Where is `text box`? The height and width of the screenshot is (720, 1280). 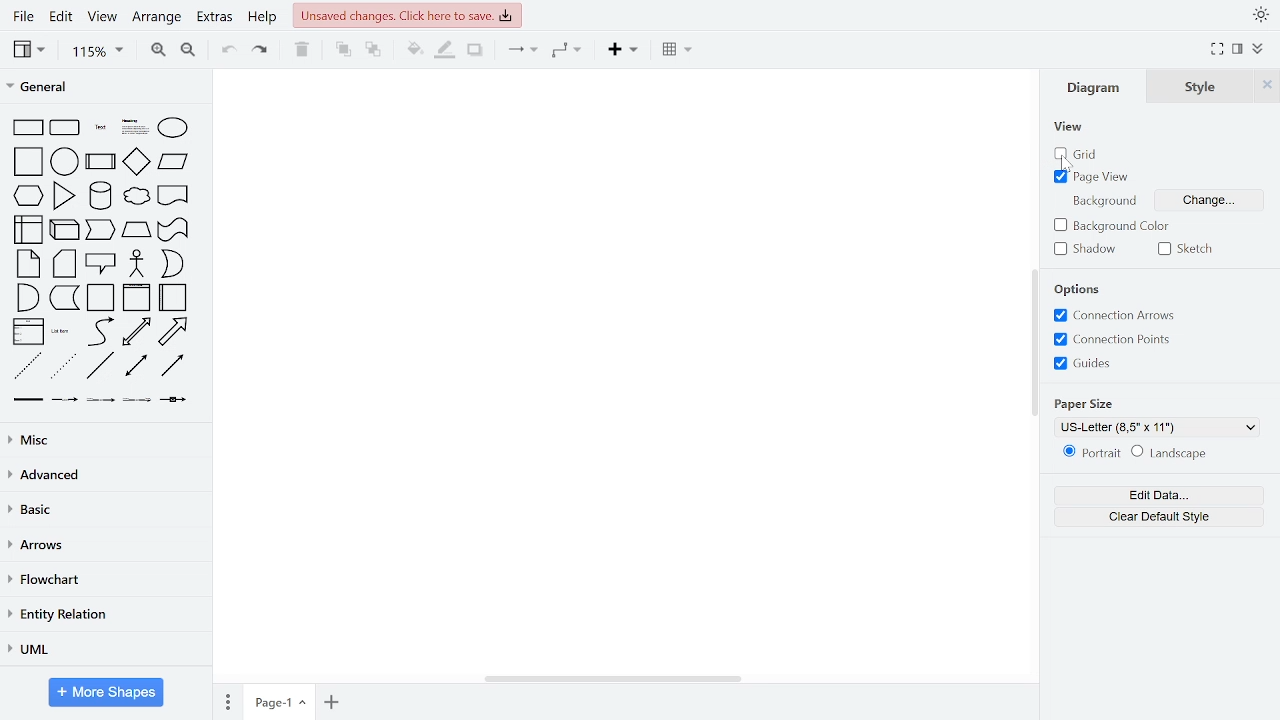 text box is located at coordinates (133, 127).